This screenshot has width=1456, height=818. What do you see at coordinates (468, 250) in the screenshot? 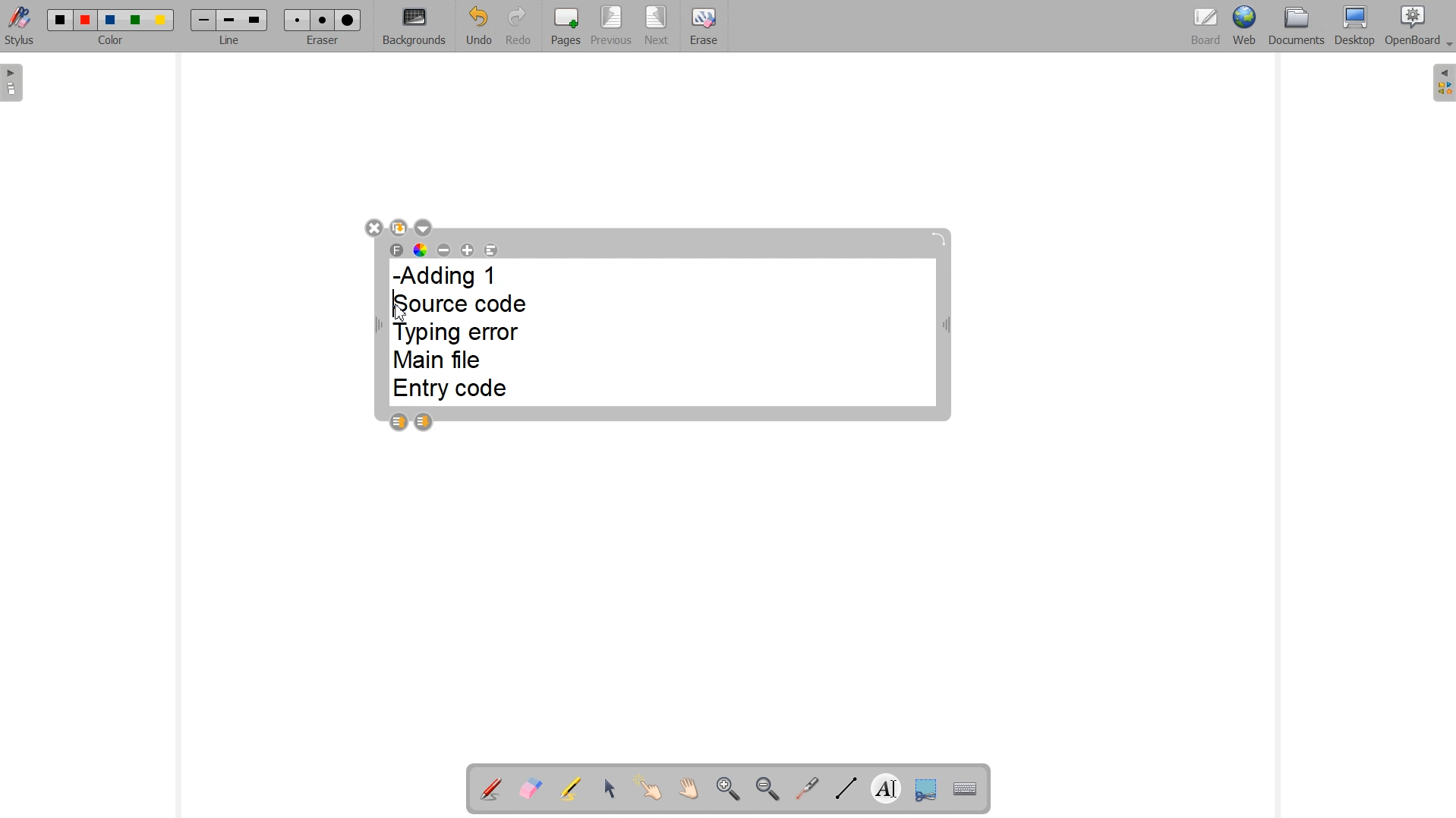
I see `Increase font size ` at bounding box center [468, 250].